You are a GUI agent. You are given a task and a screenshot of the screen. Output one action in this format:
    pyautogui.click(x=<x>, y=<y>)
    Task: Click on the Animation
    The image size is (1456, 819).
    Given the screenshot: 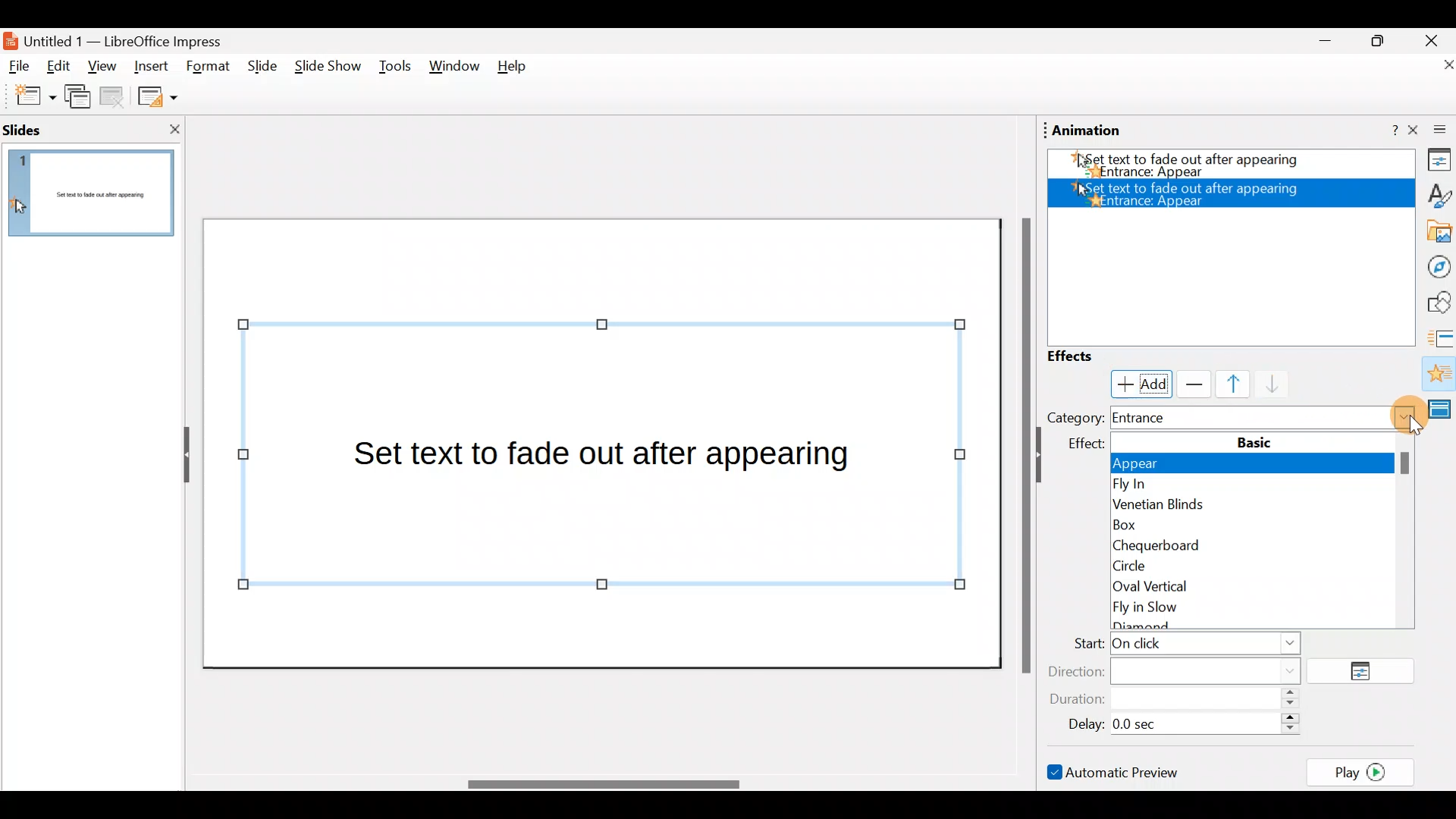 What is the action you would take?
    pyautogui.click(x=1438, y=375)
    